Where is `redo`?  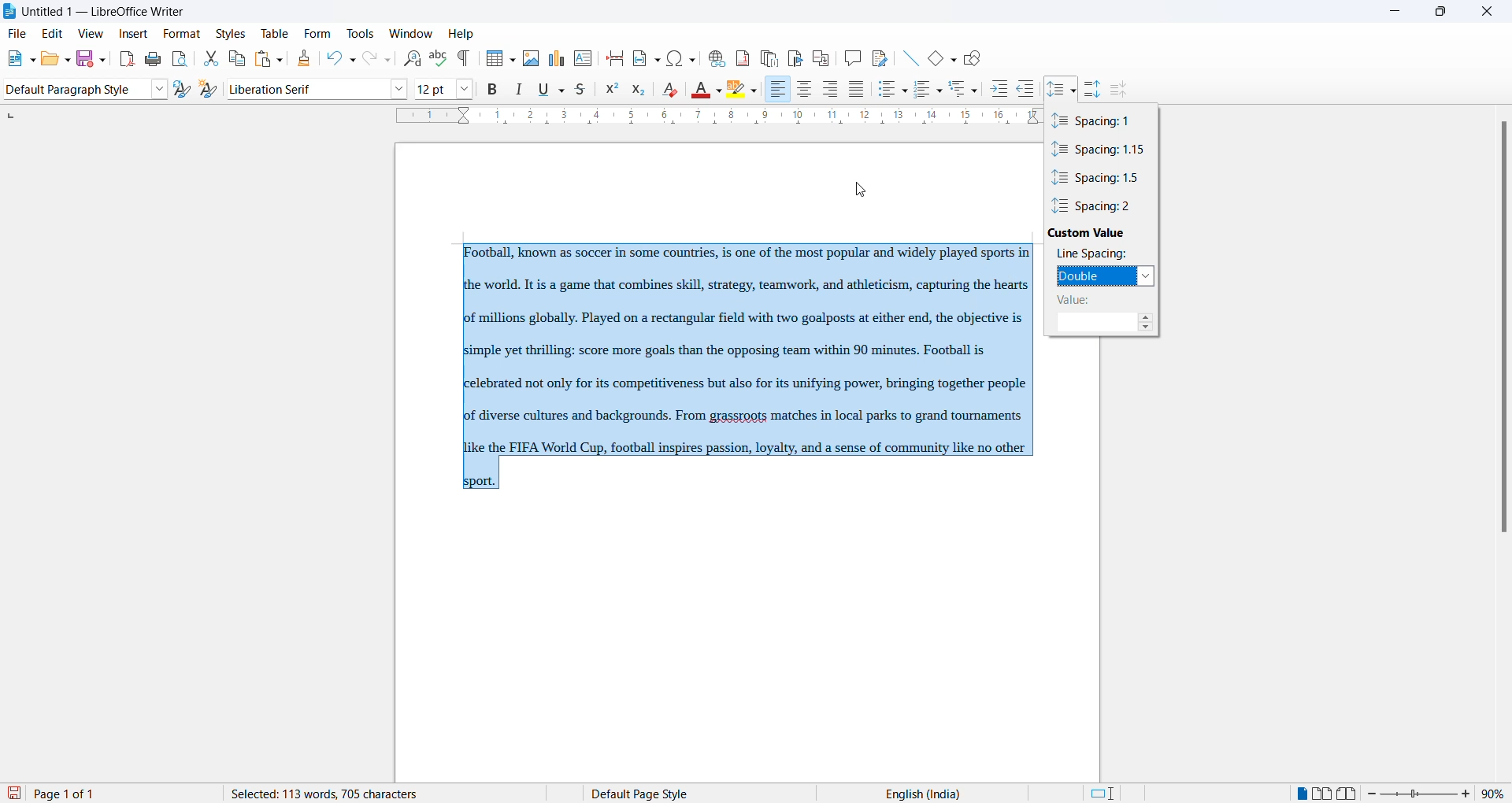 redo is located at coordinates (379, 59).